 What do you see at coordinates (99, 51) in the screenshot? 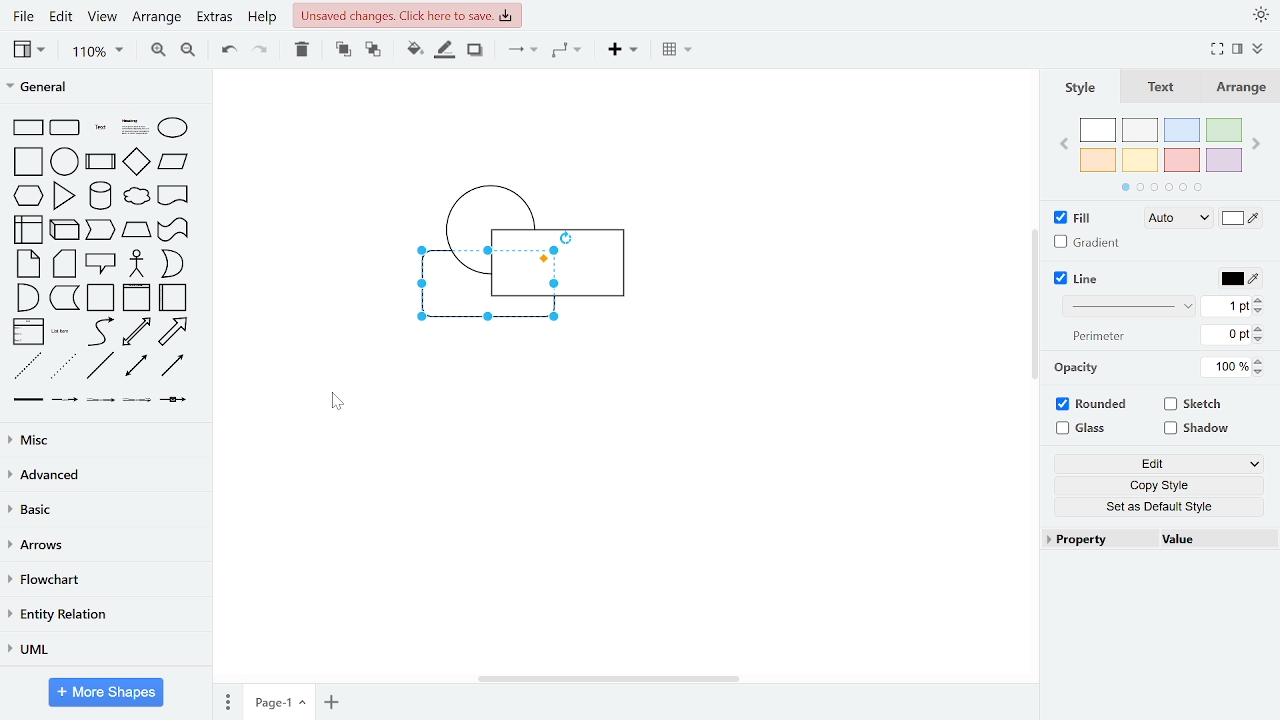
I see `zoom` at bounding box center [99, 51].